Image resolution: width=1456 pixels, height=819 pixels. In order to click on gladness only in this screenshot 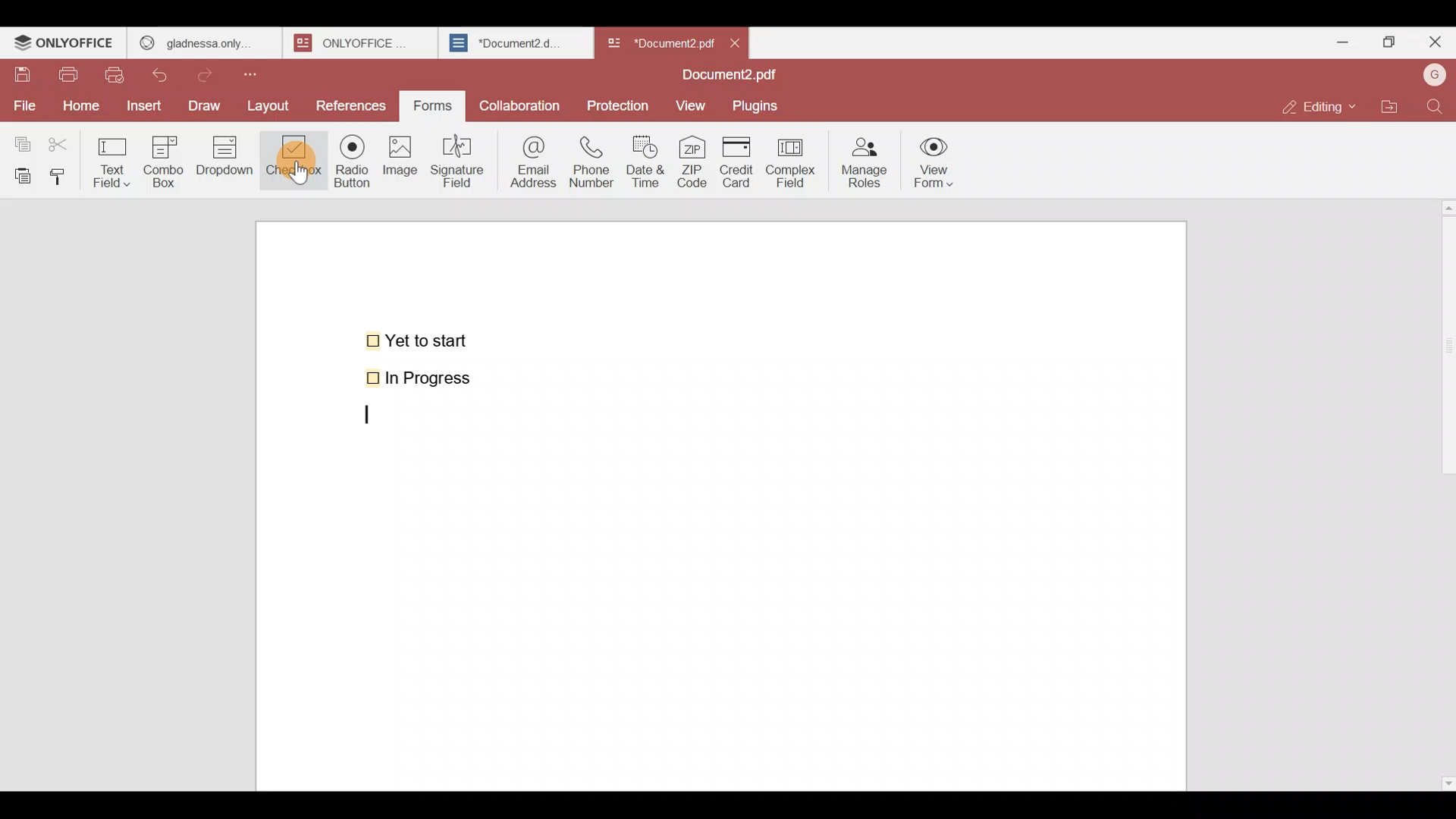, I will do `click(203, 39)`.